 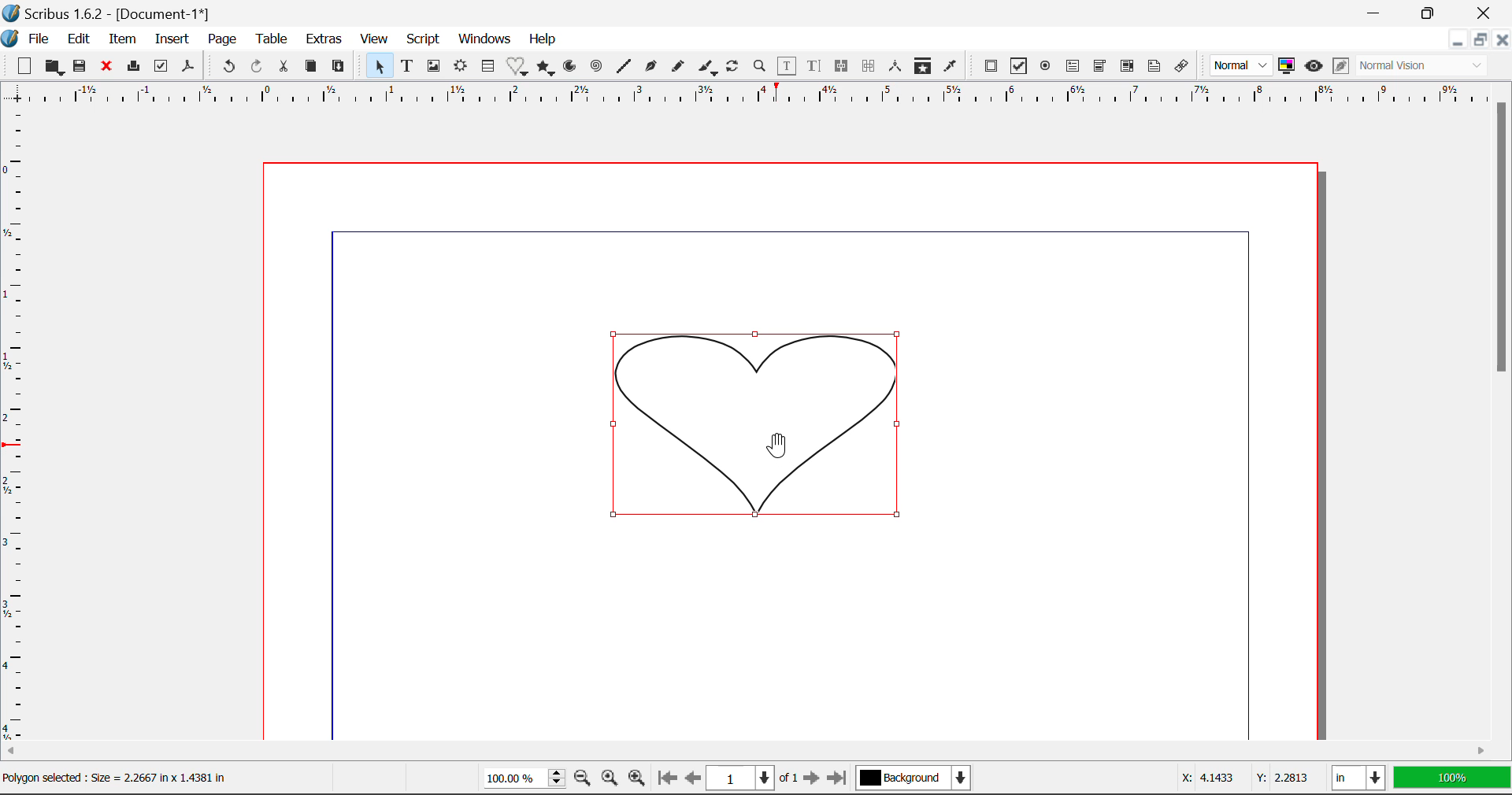 I want to click on Insert Special Shapes, so click(x=518, y=68).